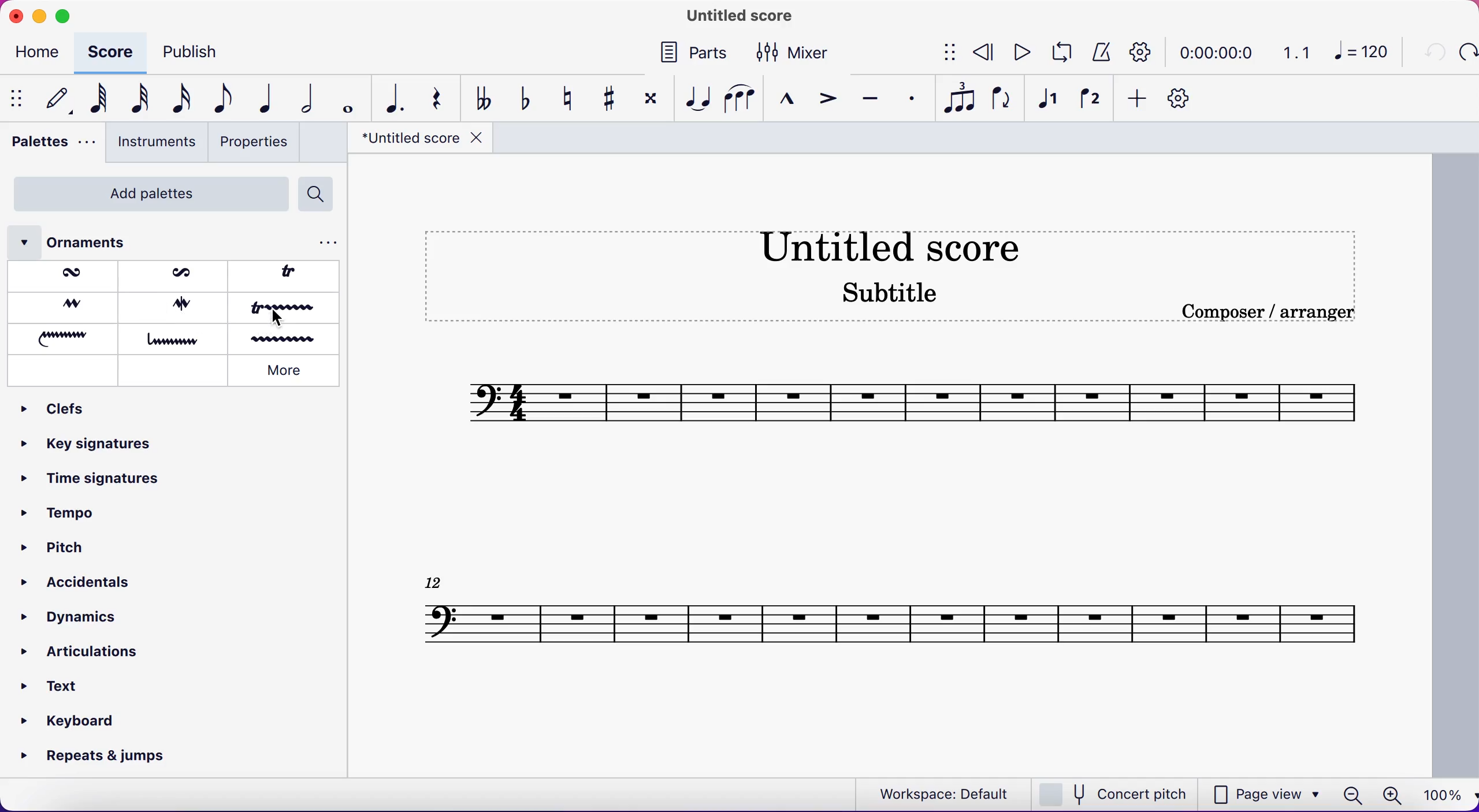 This screenshot has width=1479, height=812. What do you see at coordinates (649, 102) in the screenshot?
I see `toggle double sharp` at bounding box center [649, 102].